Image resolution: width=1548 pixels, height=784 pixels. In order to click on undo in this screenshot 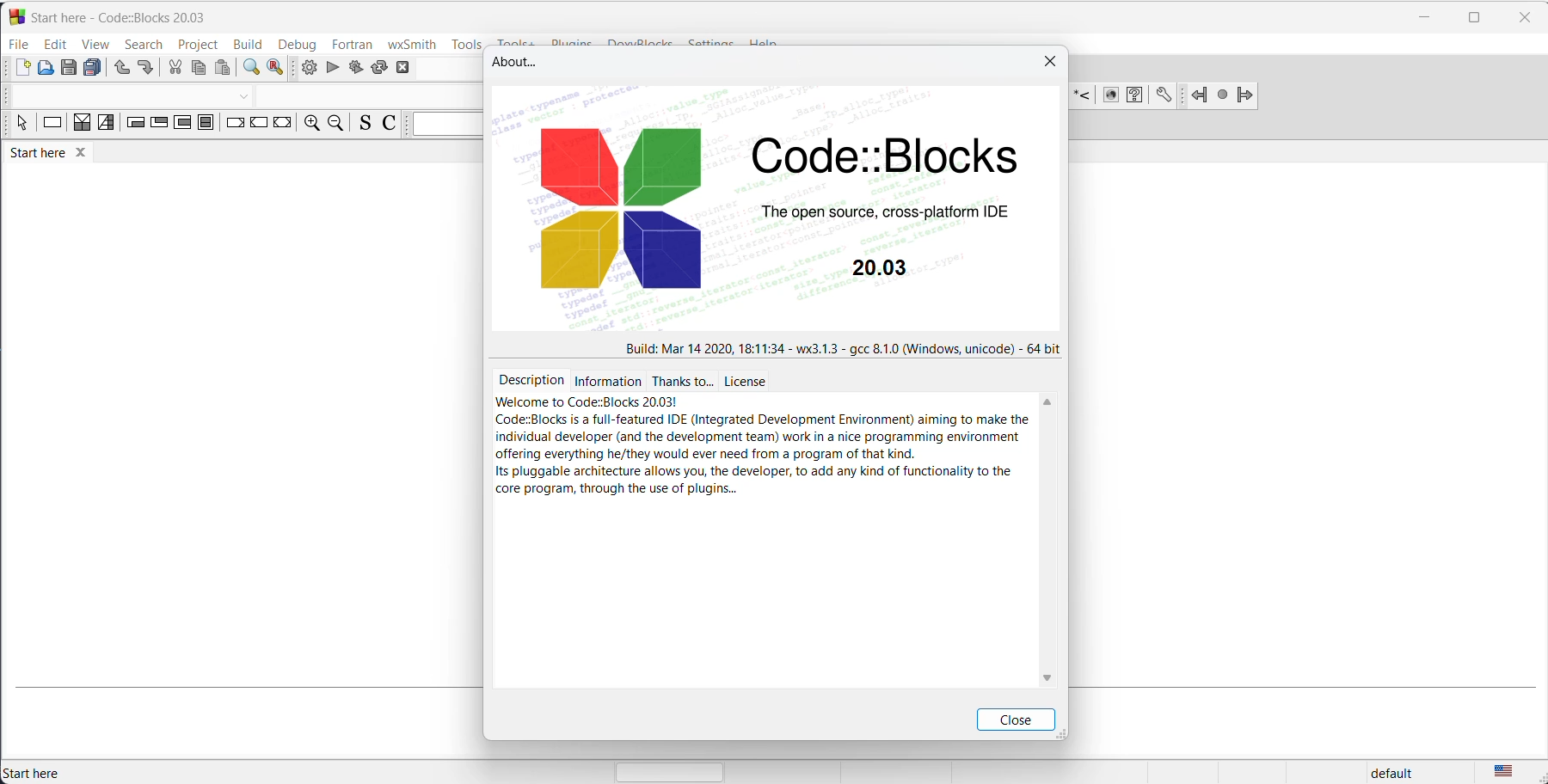, I will do `click(120, 71)`.